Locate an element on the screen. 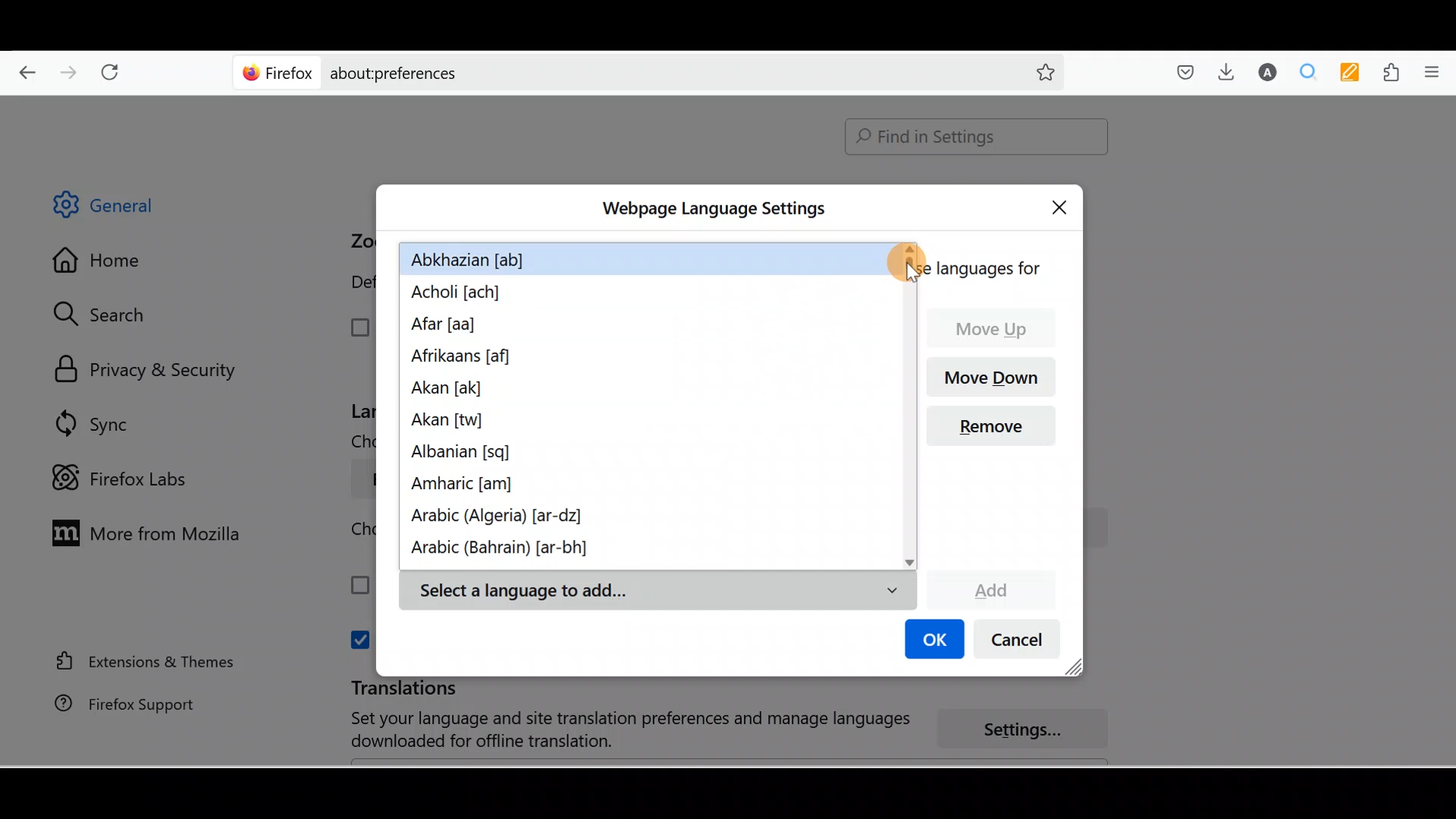 The width and height of the screenshot is (1456, 819). Firefox support is located at coordinates (115, 704).